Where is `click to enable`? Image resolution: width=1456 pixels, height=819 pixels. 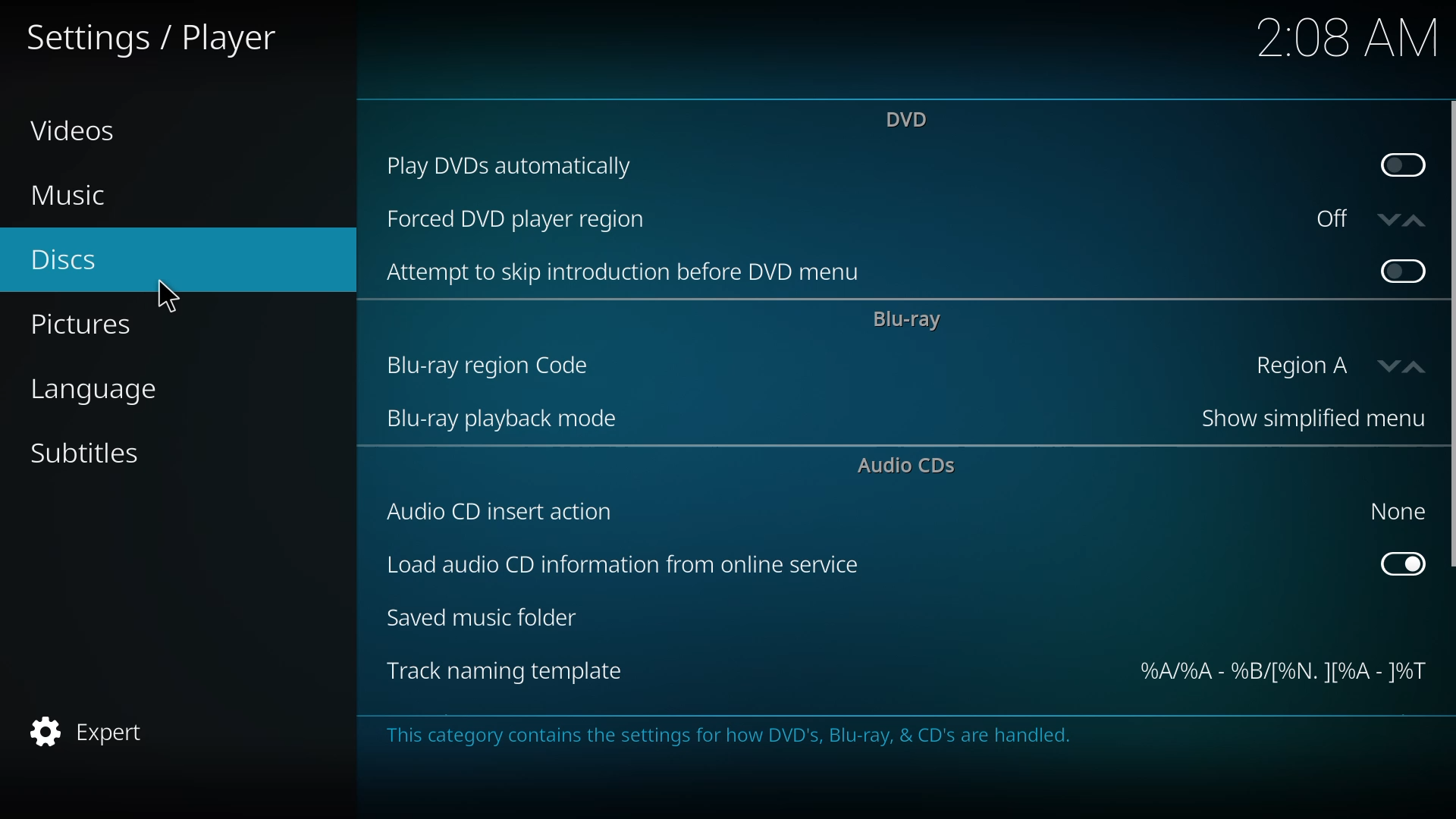
click to enable is located at coordinates (1400, 269).